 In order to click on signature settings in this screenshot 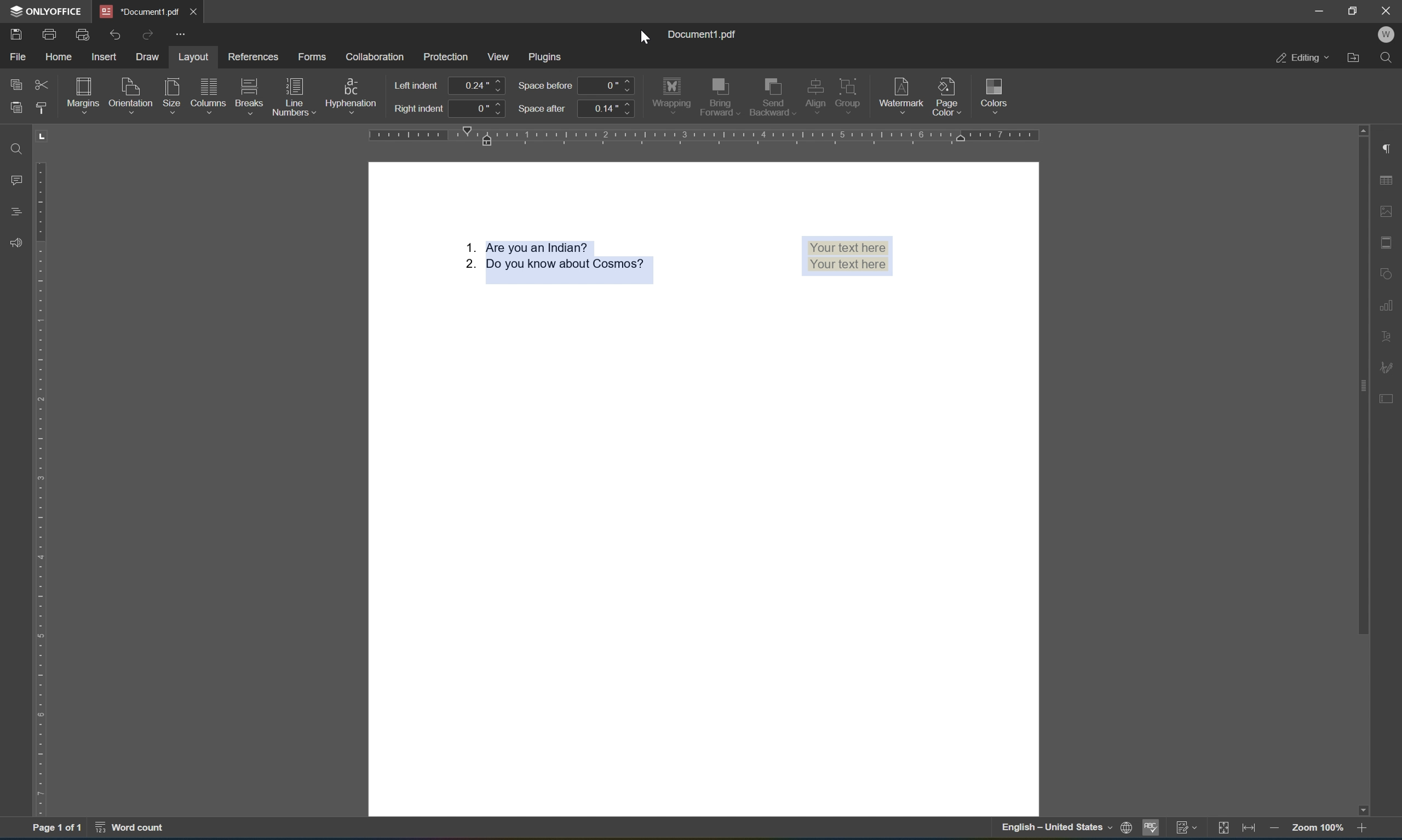, I will do `click(1390, 367)`.